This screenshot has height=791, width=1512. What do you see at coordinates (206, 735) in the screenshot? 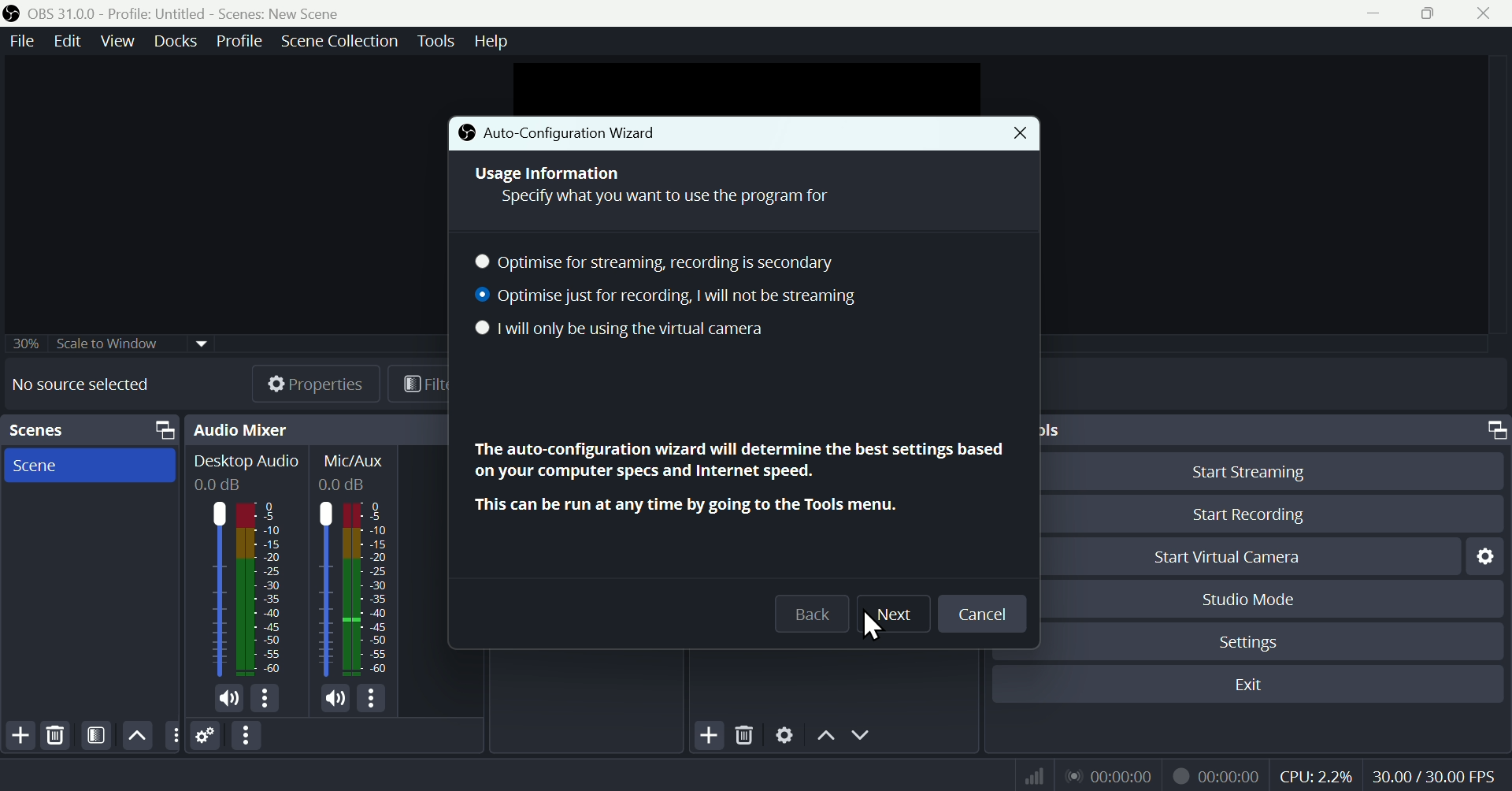
I see `Settings` at bounding box center [206, 735].